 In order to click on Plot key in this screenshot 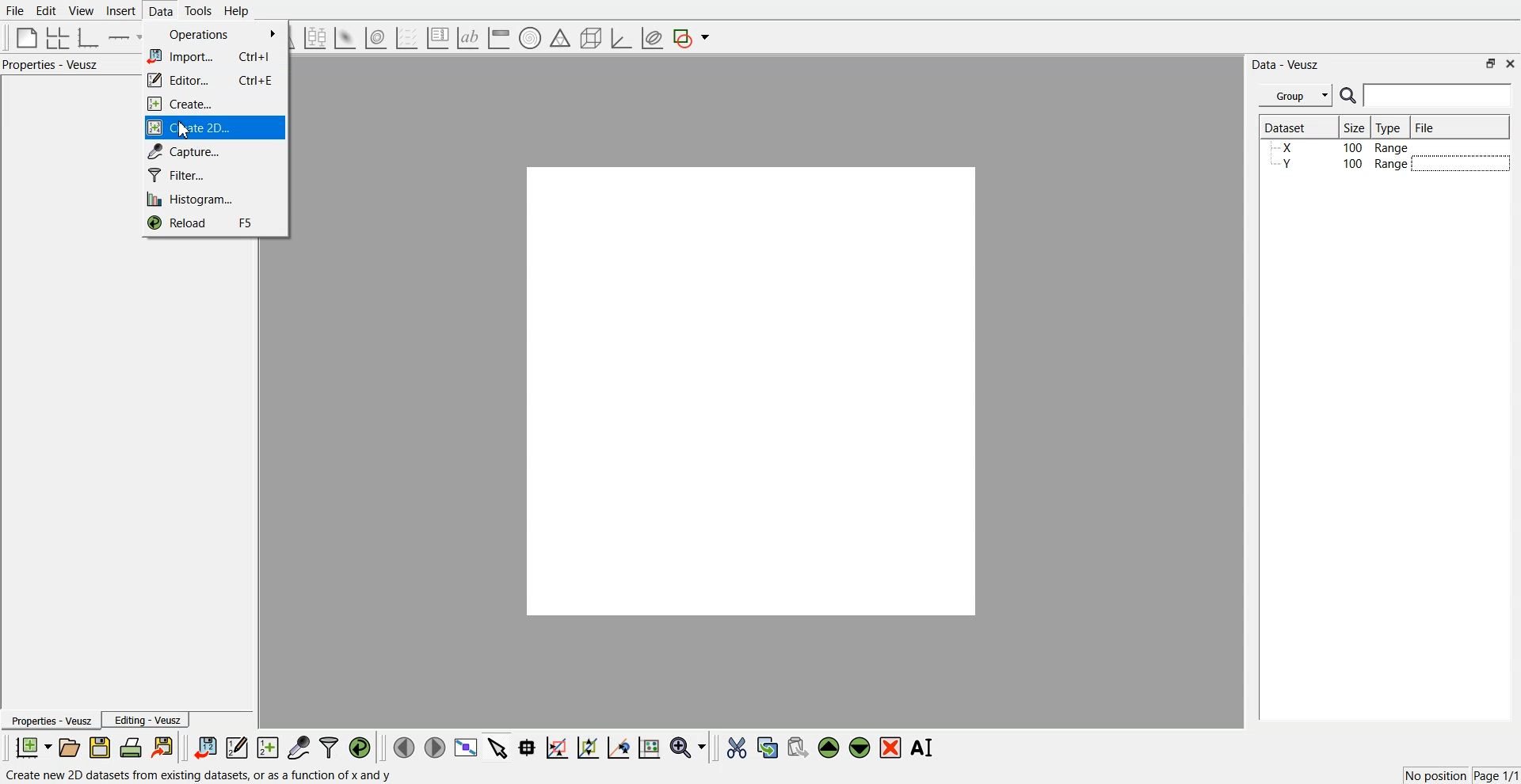, I will do `click(437, 38)`.